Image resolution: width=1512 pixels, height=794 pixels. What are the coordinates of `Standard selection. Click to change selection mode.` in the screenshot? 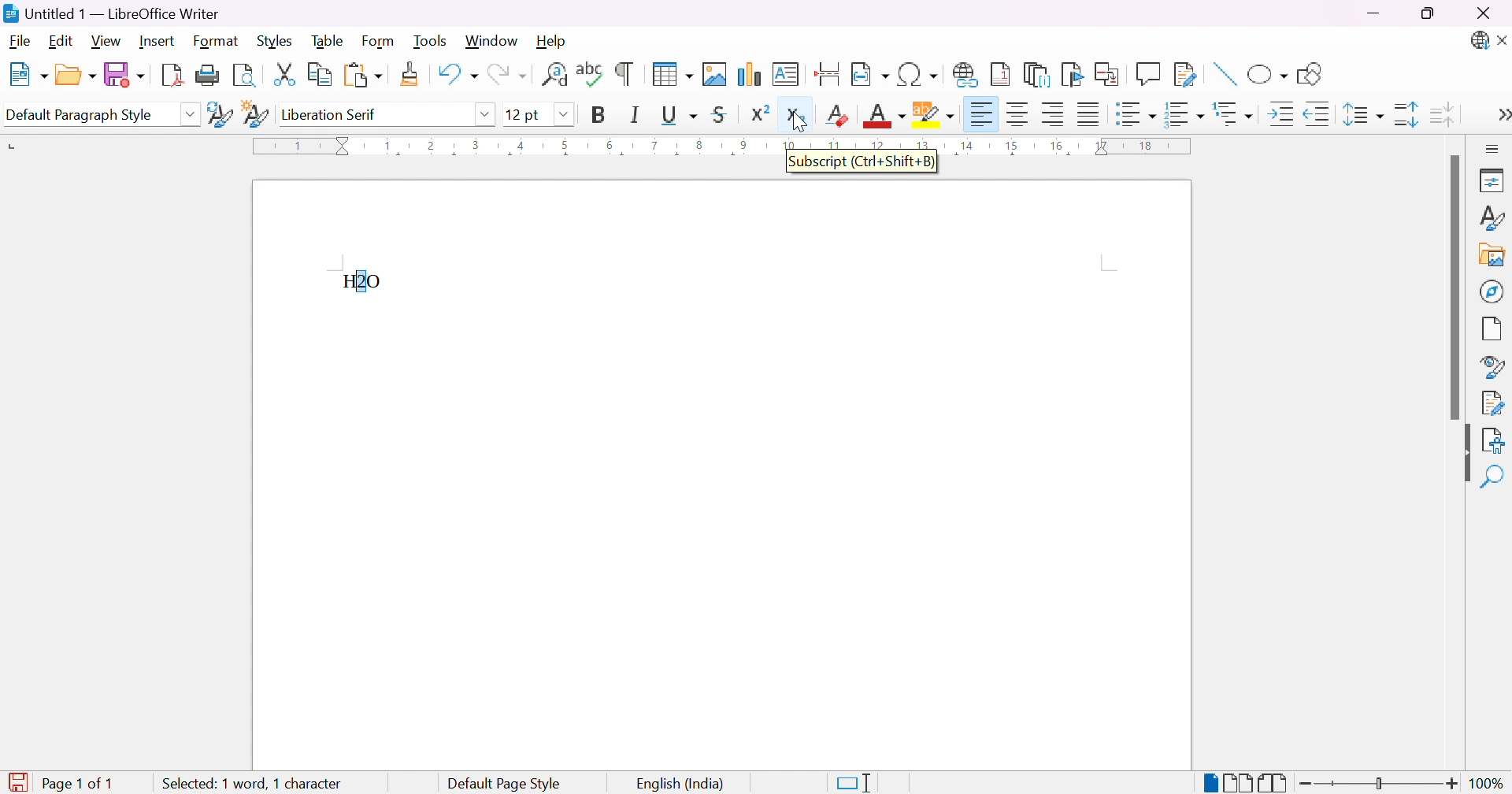 It's located at (854, 783).